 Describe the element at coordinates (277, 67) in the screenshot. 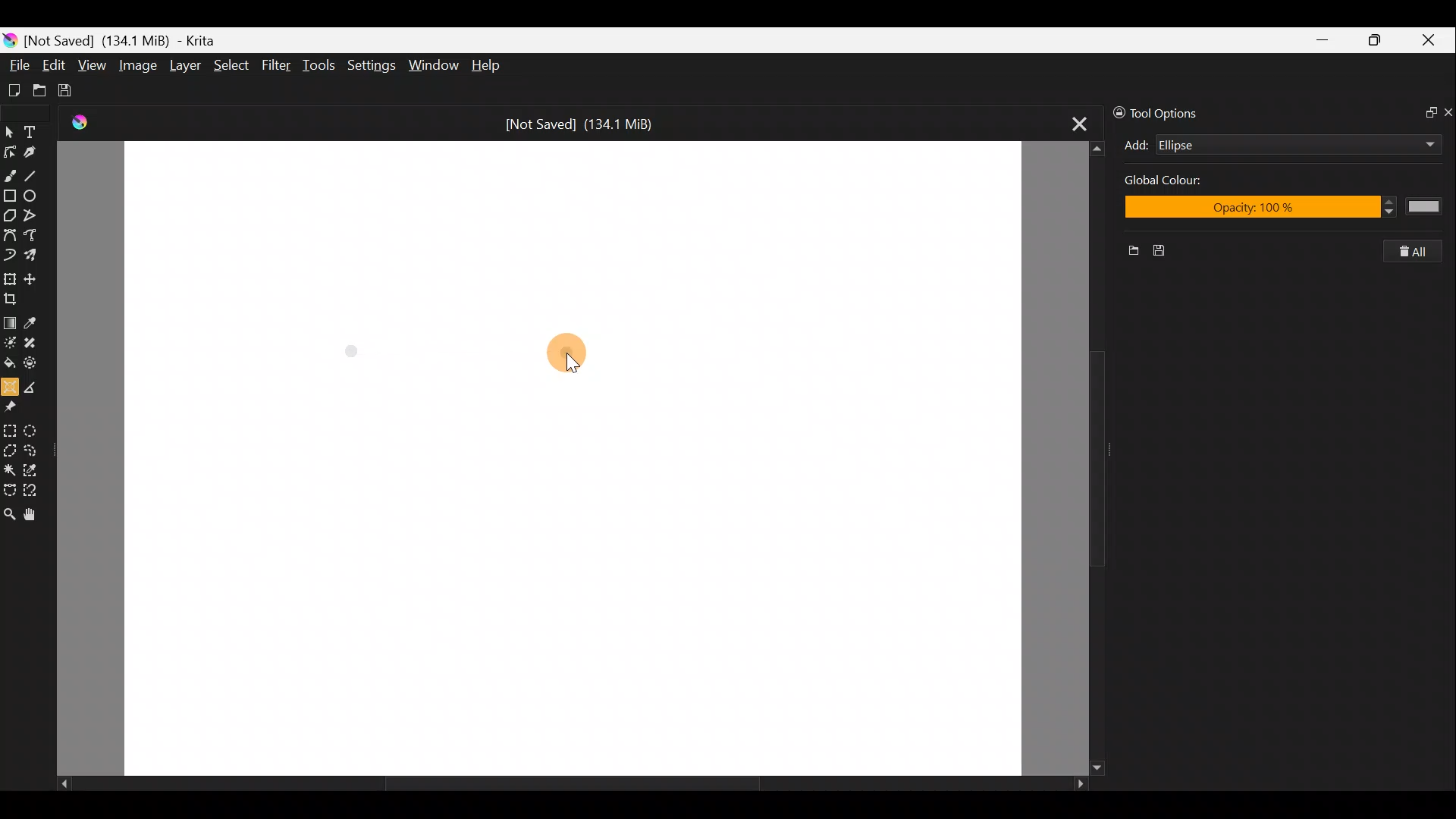

I see `Filter` at that location.